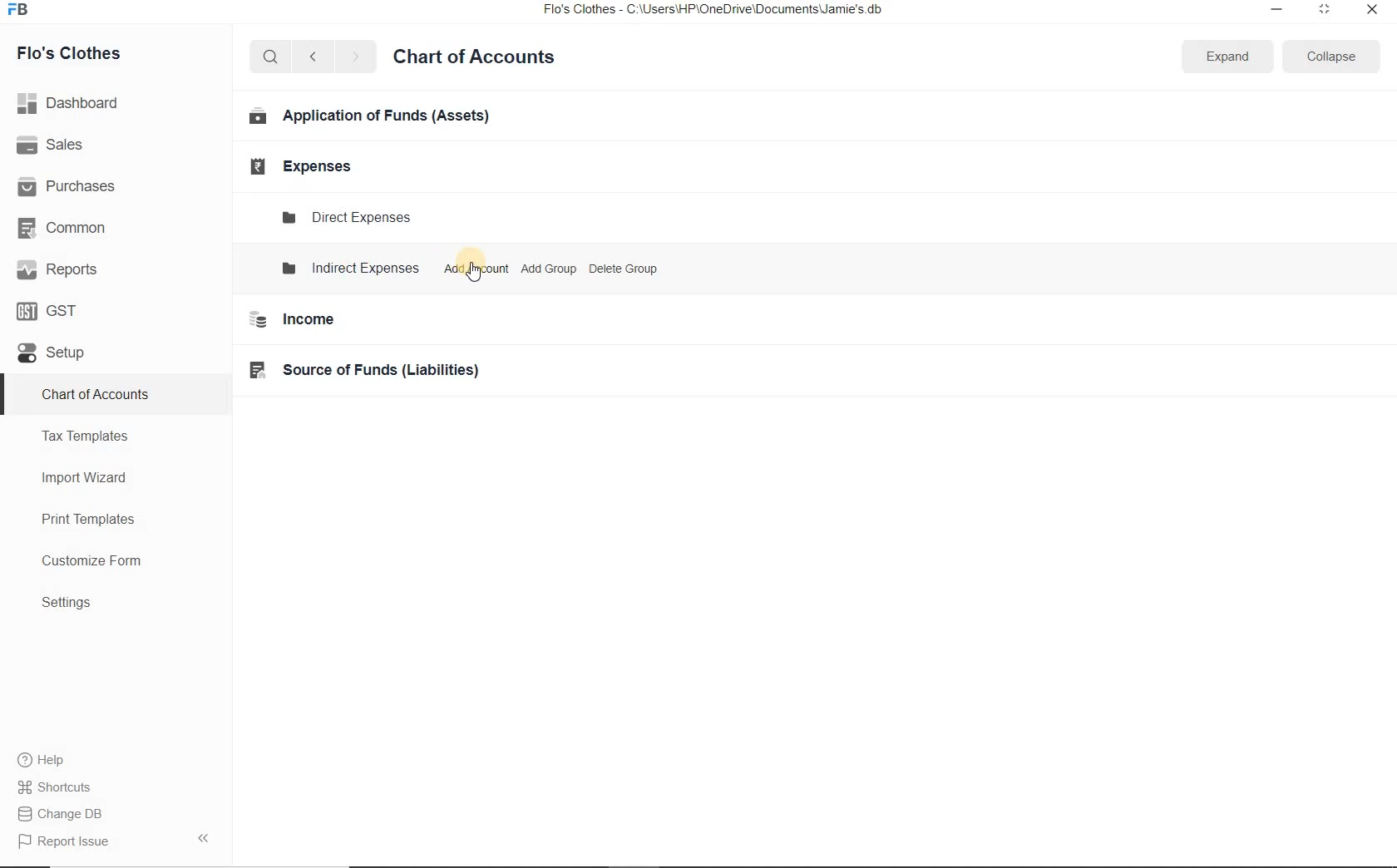 This screenshot has height=868, width=1397. I want to click on Shortcuts, so click(69, 787).